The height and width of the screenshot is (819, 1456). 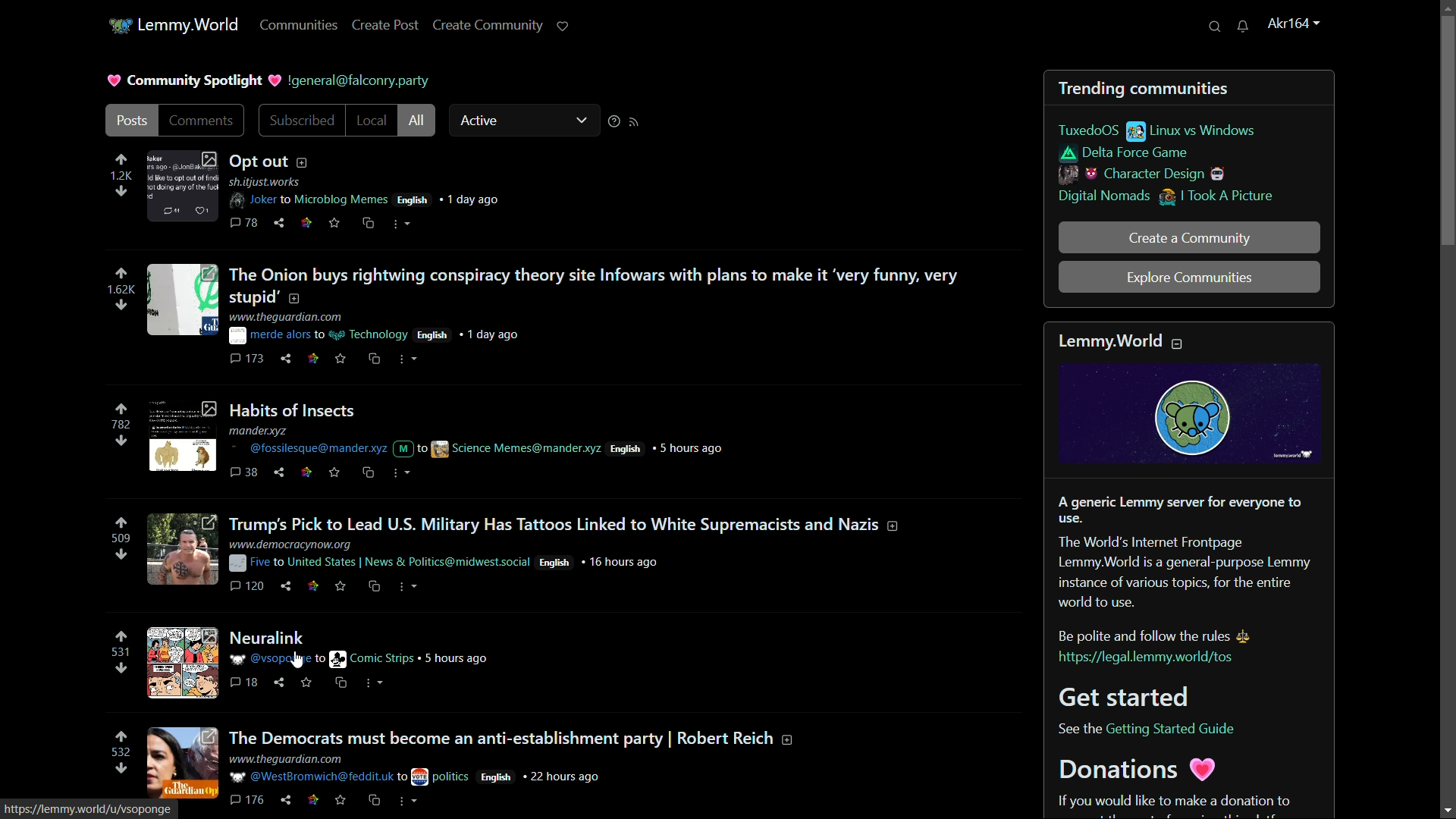 I want to click on about lemmy.world, so click(x=1188, y=583).